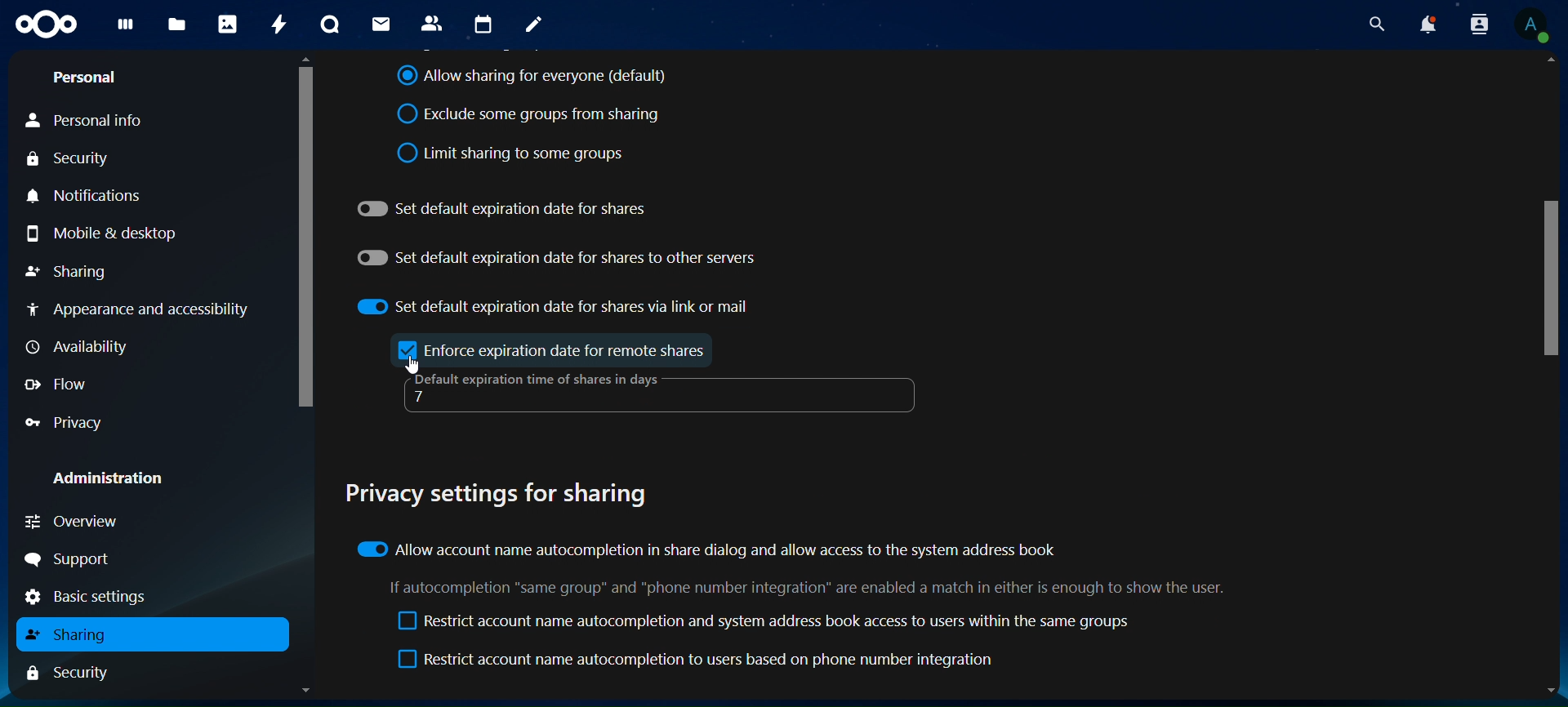 This screenshot has width=1568, height=707. Describe the element at coordinates (415, 365) in the screenshot. I see `Cursor` at that location.